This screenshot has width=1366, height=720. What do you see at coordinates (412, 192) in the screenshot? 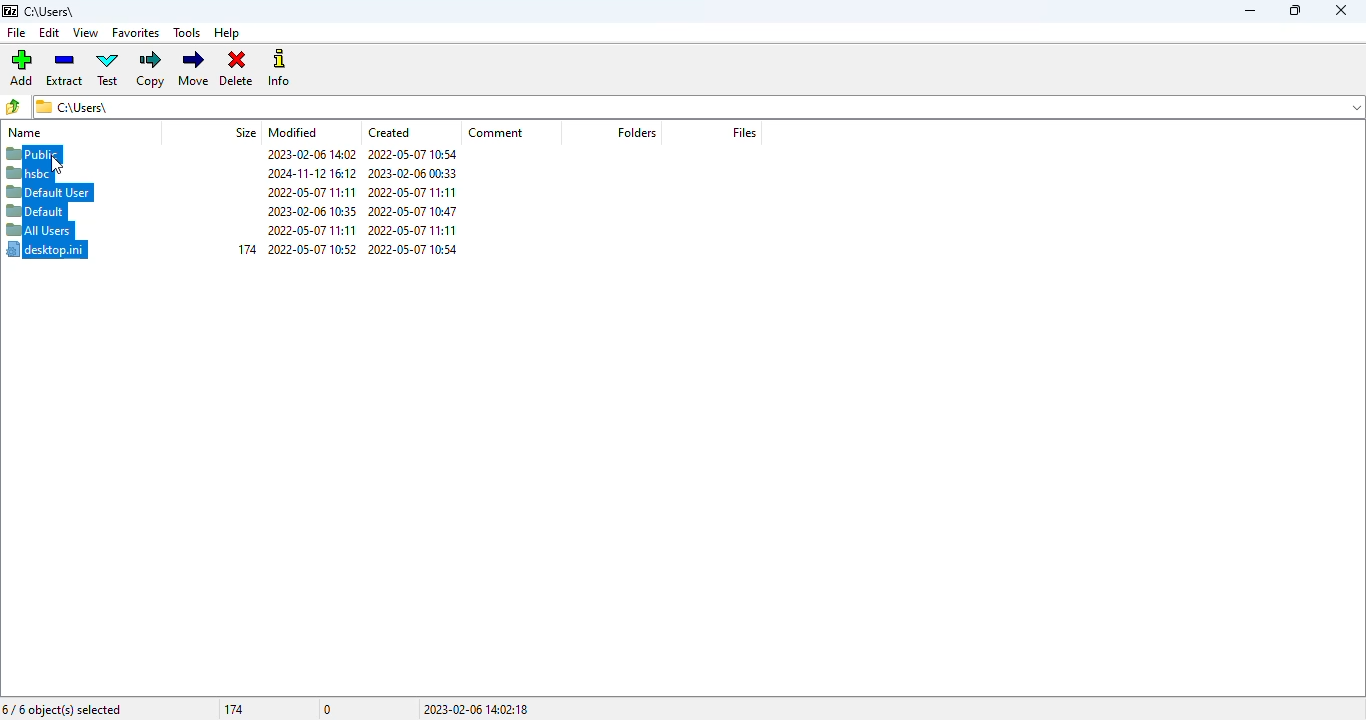
I see `2022-05-07 11:11` at bounding box center [412, 192].